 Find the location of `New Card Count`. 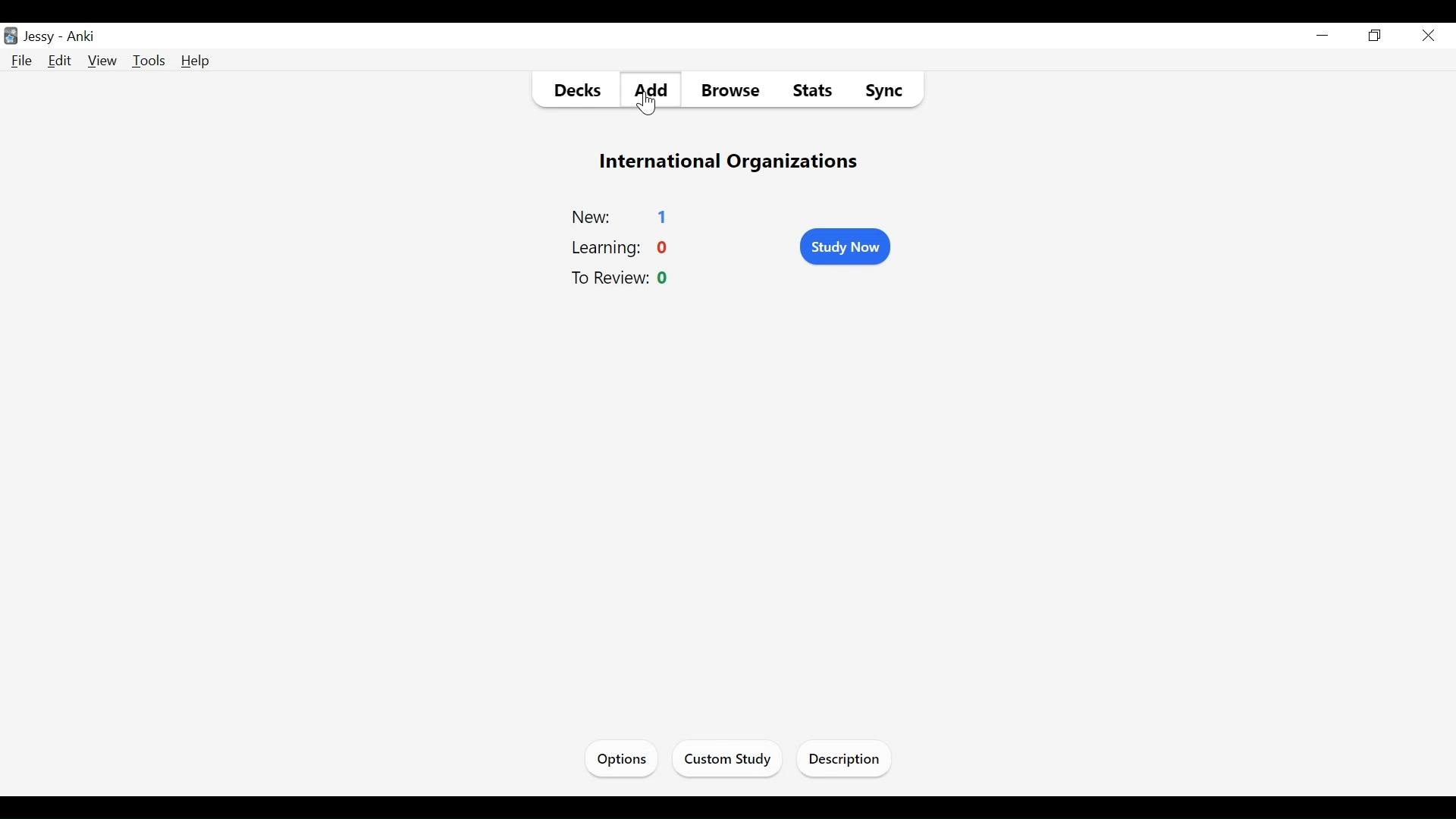

New Card Count is located at coordinates (665, 216).